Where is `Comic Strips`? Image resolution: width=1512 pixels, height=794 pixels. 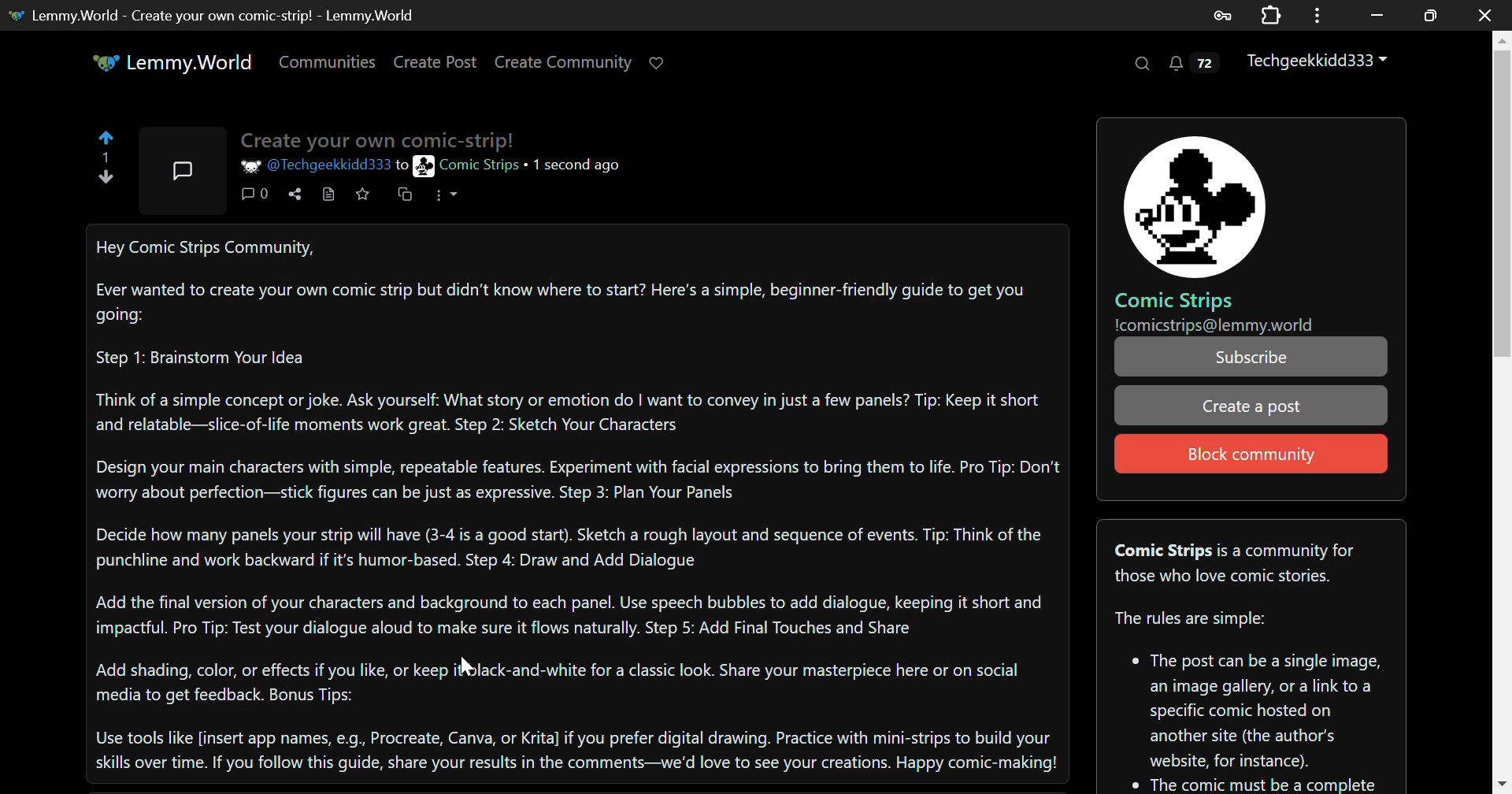 Comic Strips is located at coordinates (467, 167).